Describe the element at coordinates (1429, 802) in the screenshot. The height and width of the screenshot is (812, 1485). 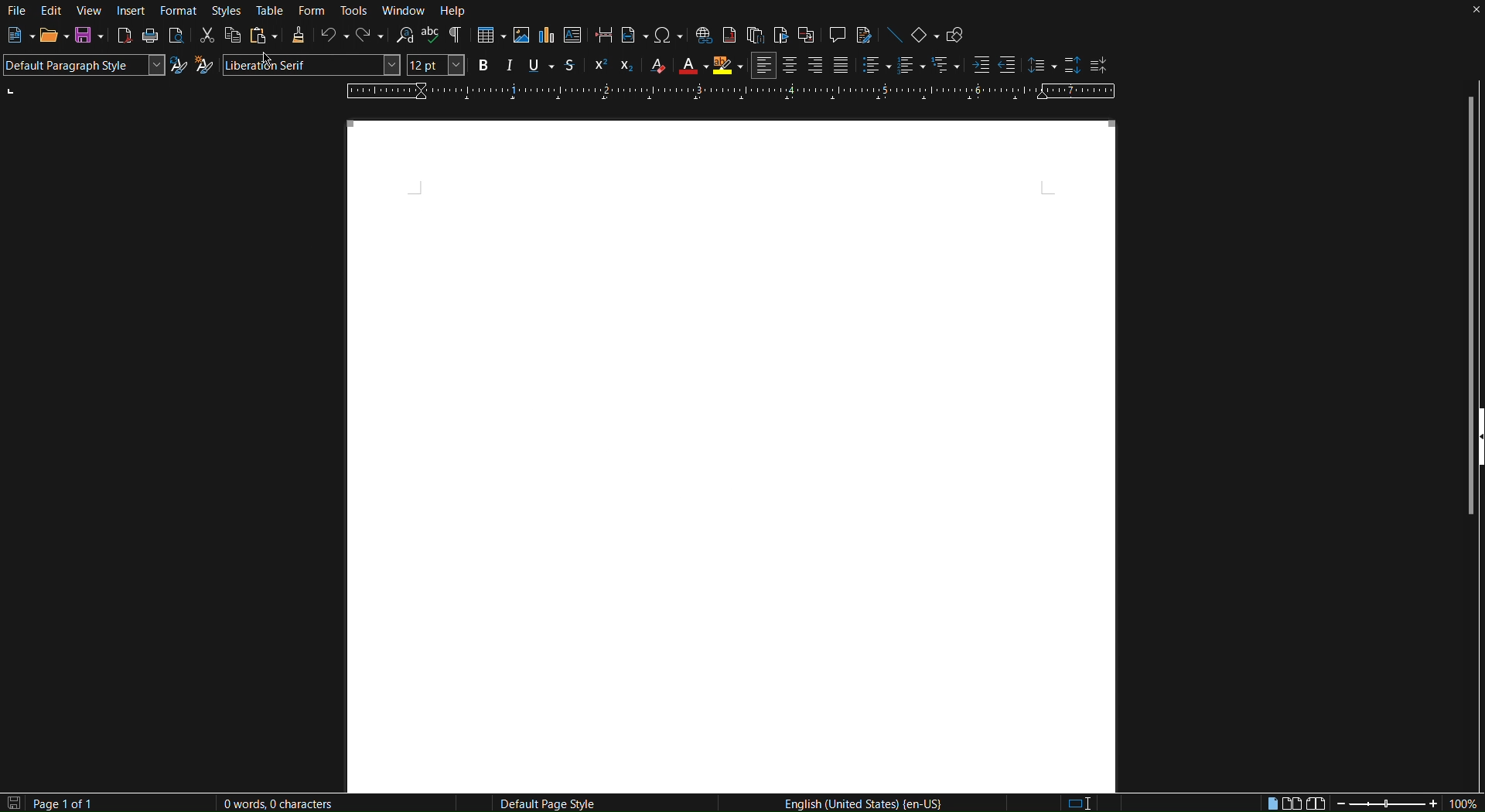
I see `Zoom in` at that location.